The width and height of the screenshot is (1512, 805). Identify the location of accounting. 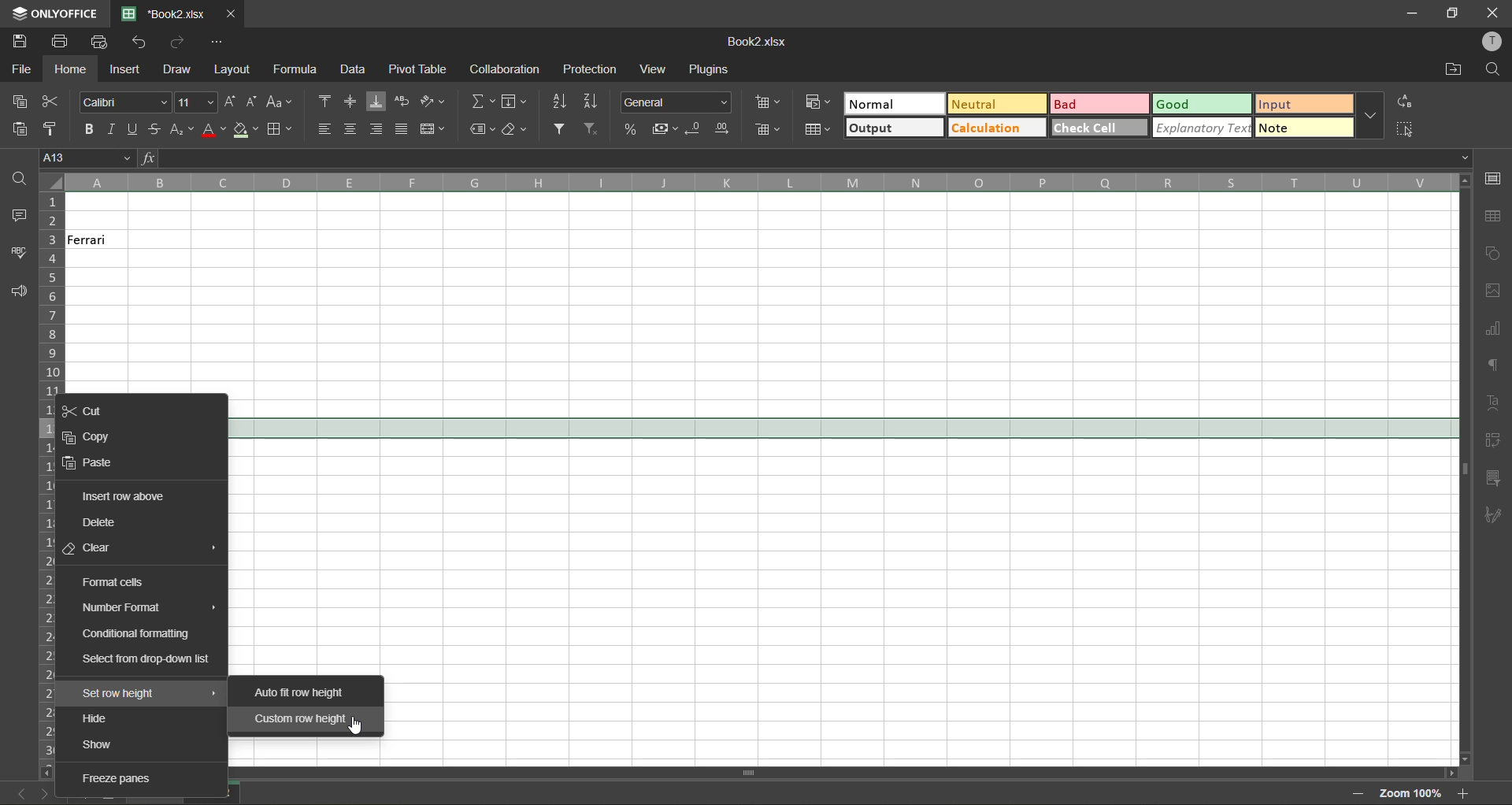
(667, 131).